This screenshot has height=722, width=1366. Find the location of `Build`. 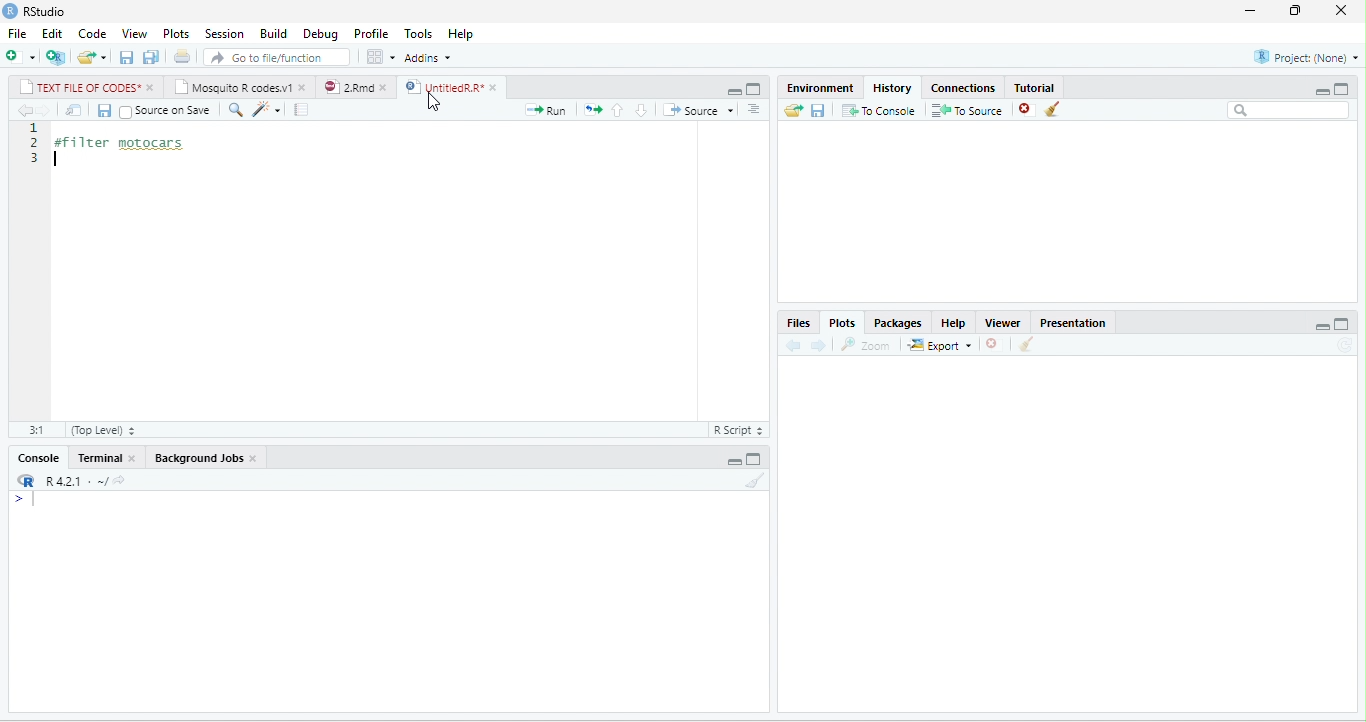

Build is located at coordinates (273, 33).